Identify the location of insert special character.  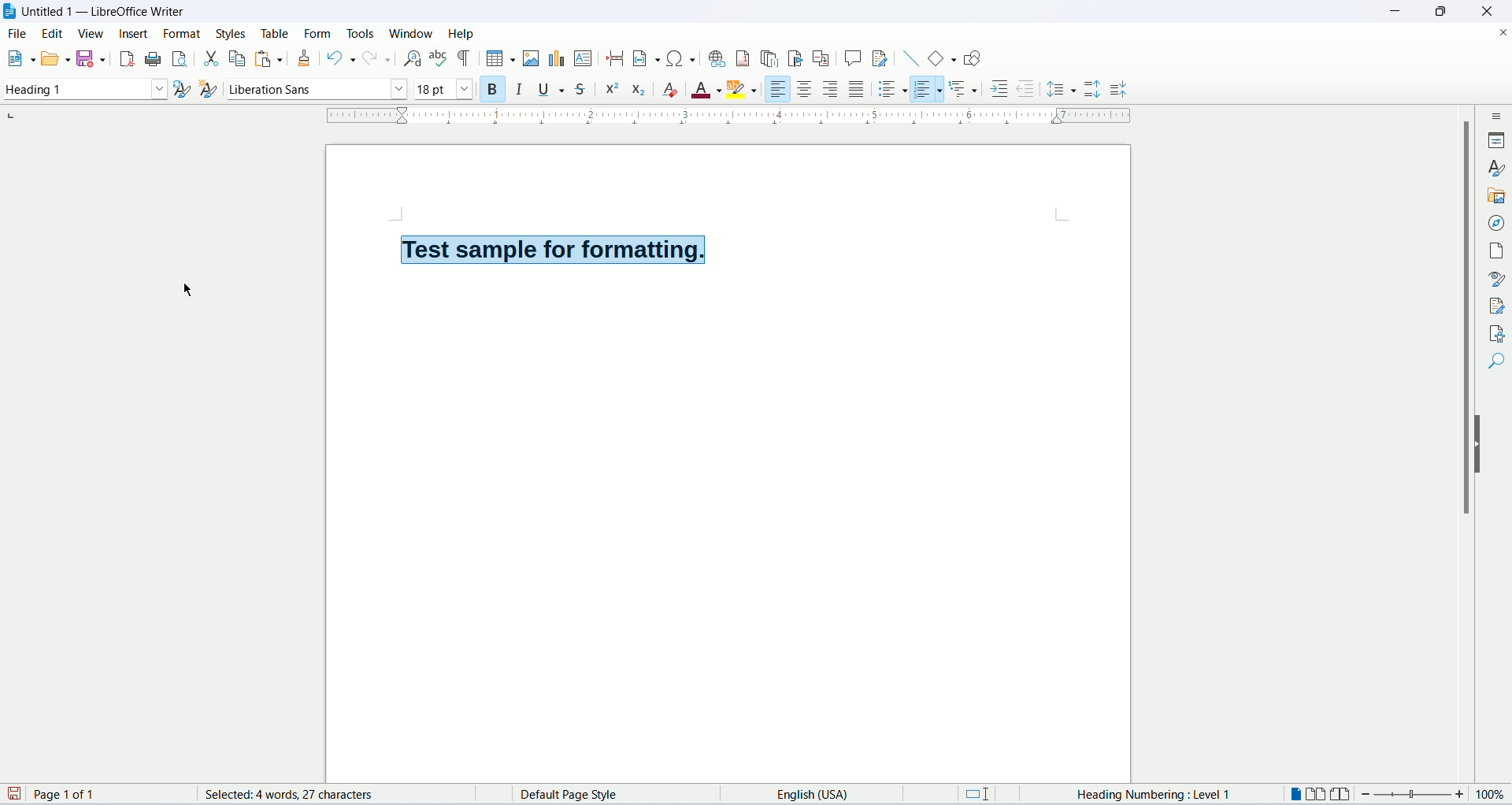
(678, 58).